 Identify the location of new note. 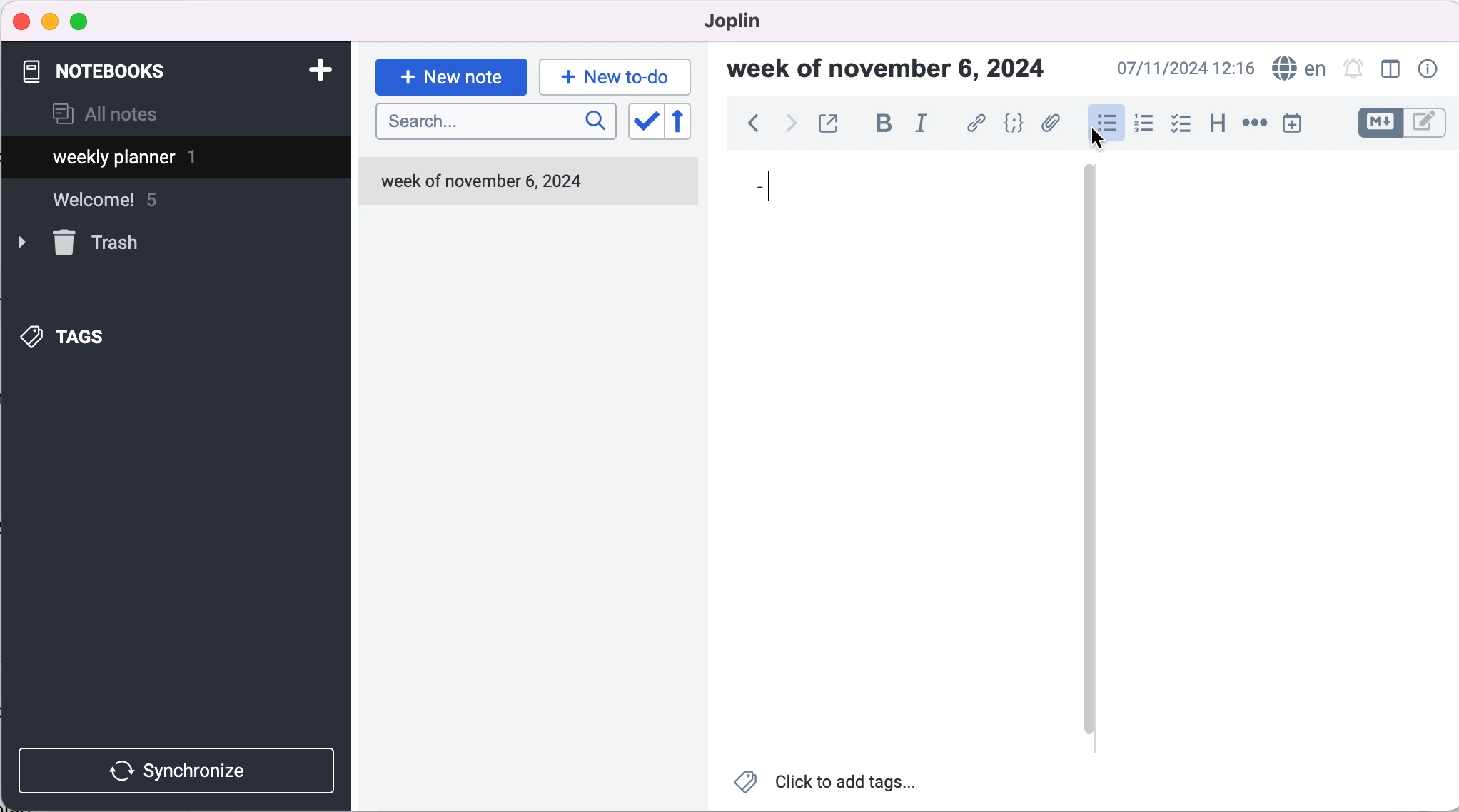
(451, 76).